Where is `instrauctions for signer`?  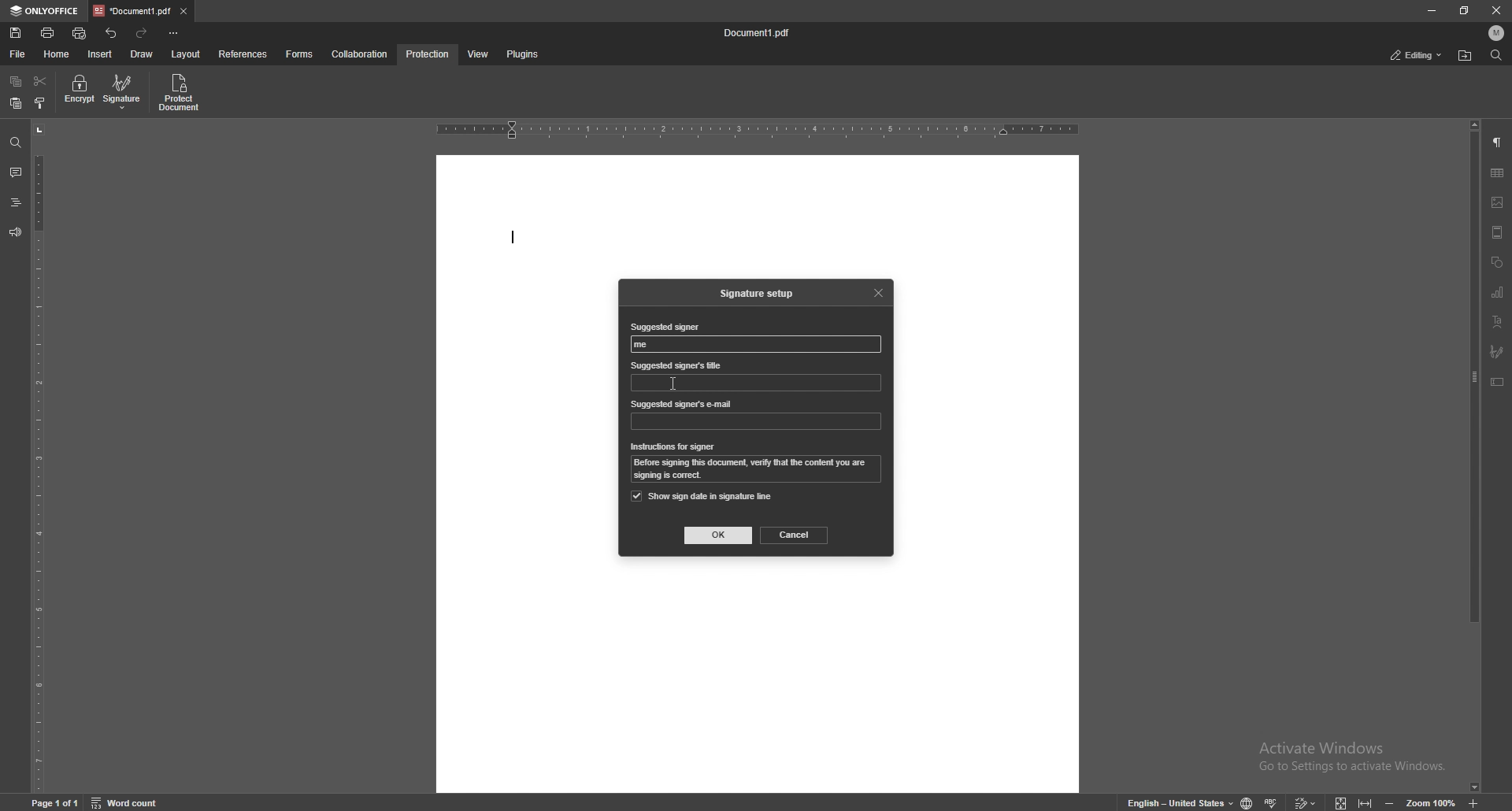
instrauctions for signer is located at coordinates (673, 447).